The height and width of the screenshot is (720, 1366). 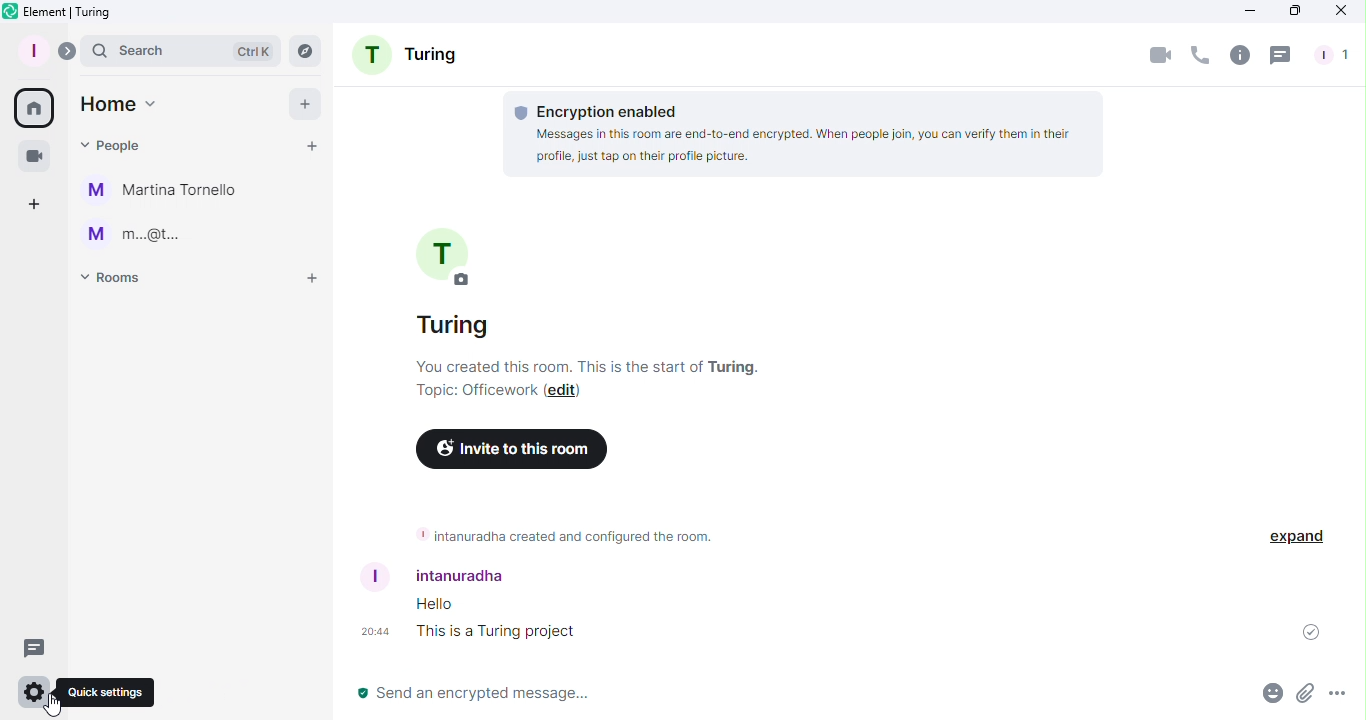 I want to click on Call, so click(x=1200, y=58).